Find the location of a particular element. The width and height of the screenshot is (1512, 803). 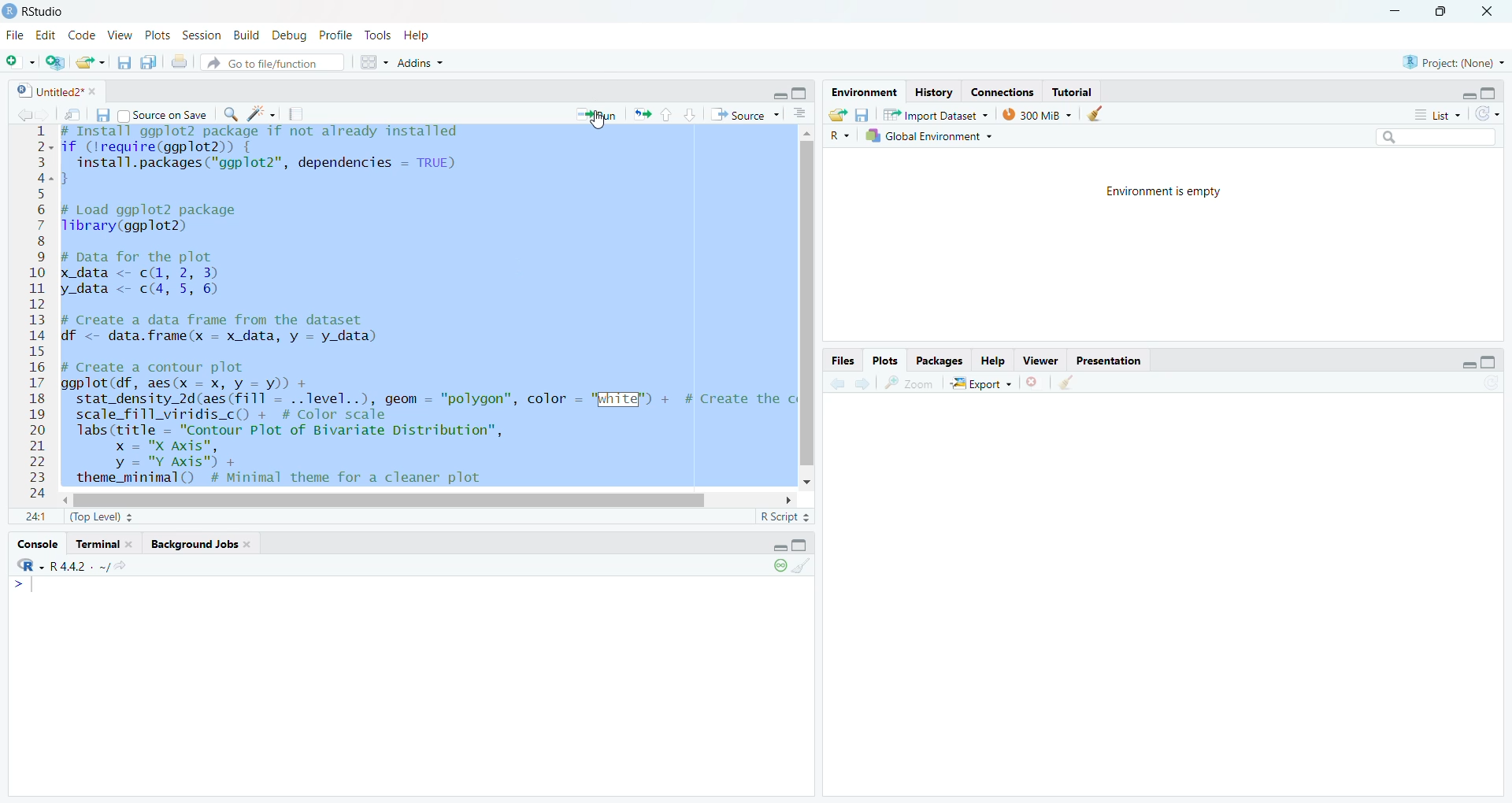

clear console is located at coordinates (802, 568).